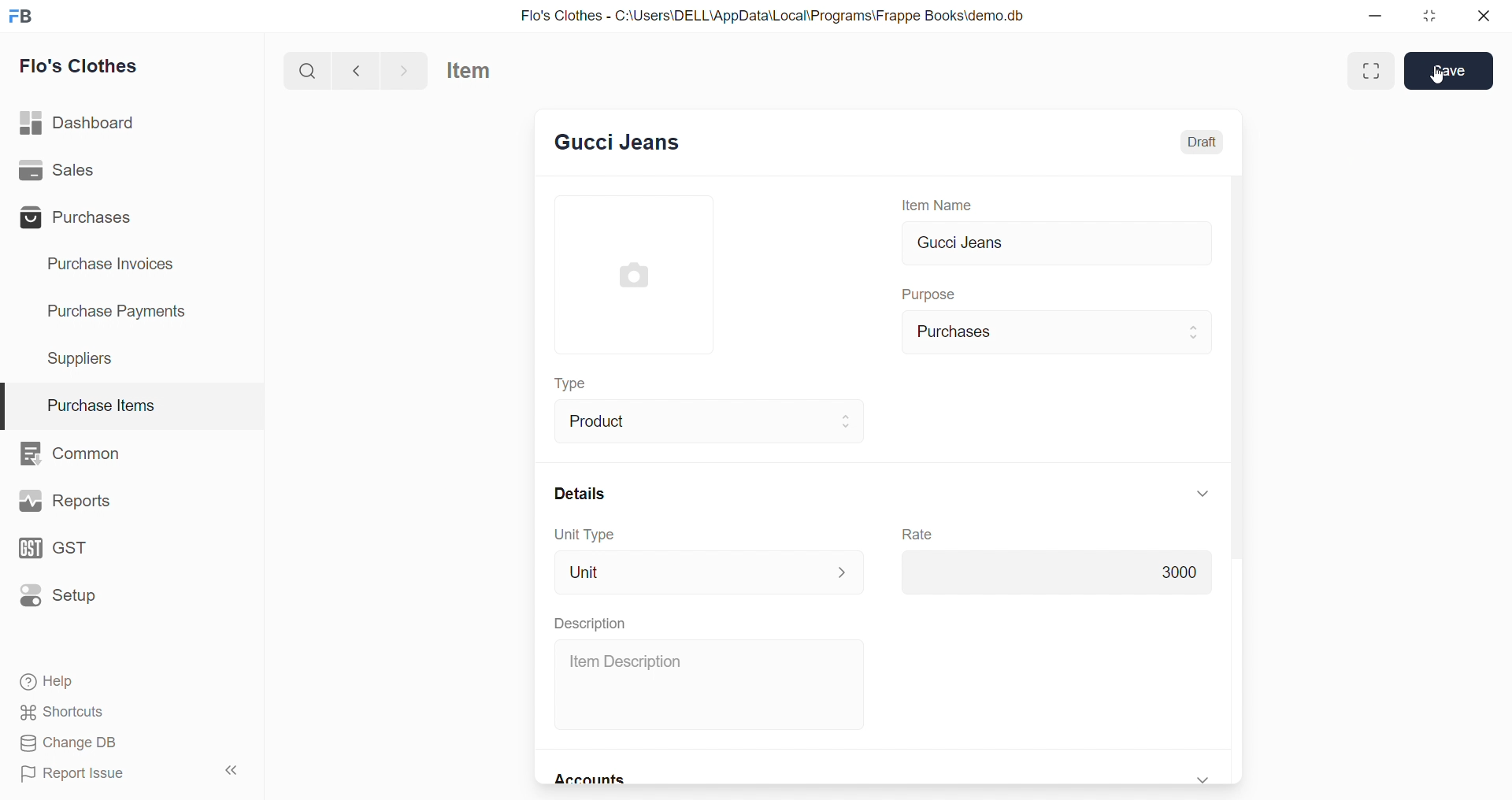 The height and width of the screenshot is (800, 1512). What do you see at coordinates (713, 420) in the screenshot?
I see `Product` at bounding box center [713, 420].